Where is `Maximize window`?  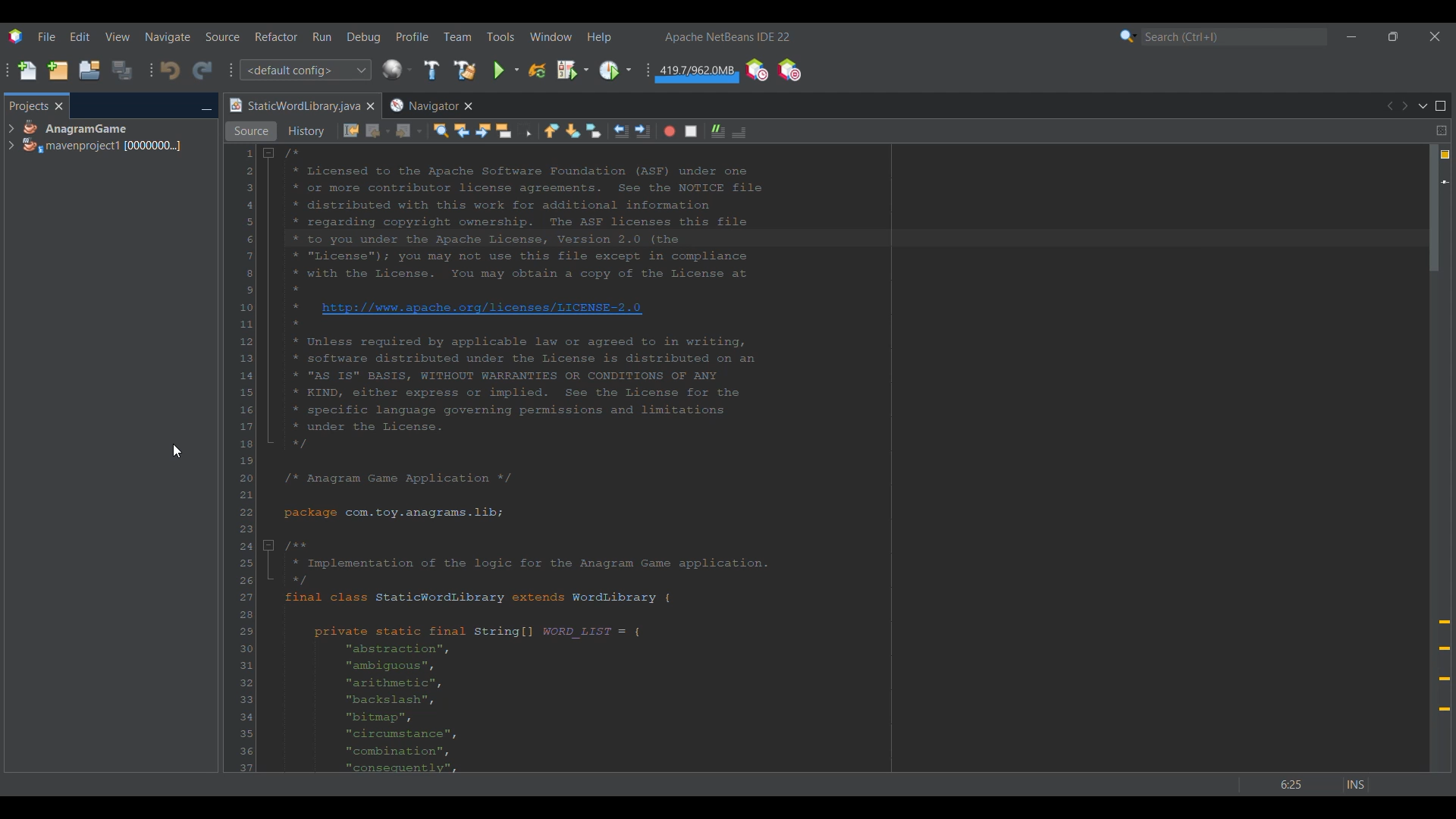
Maximize window is located at coordinates (1441, 106).